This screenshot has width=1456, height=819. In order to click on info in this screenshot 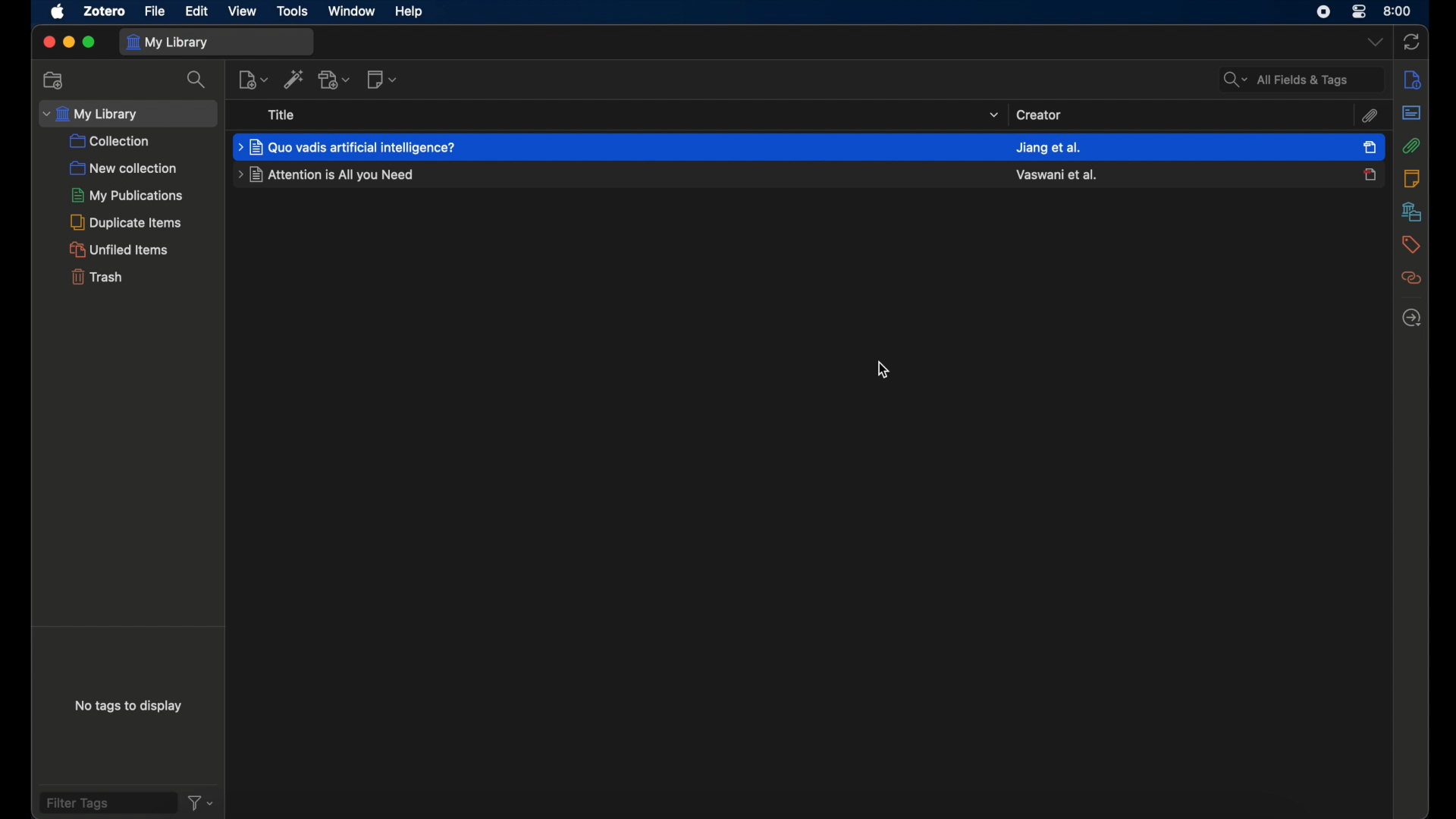, I will do `click(1410, 80)`.